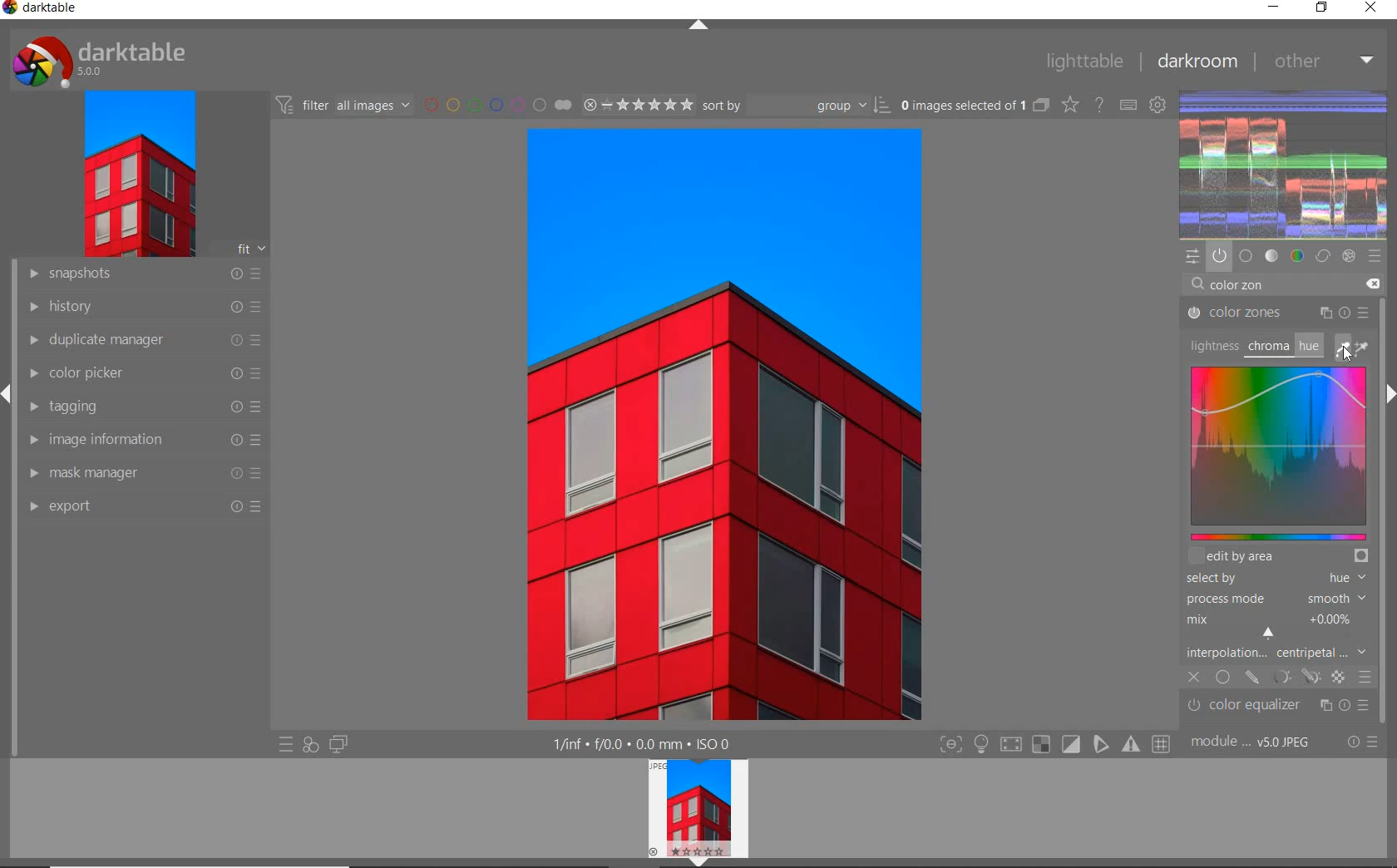 The width and height of the screenshot is (1397, 868). Describe the element at coordinates (140, 342) in the screenshot. I see `duplicate manager` at that location.